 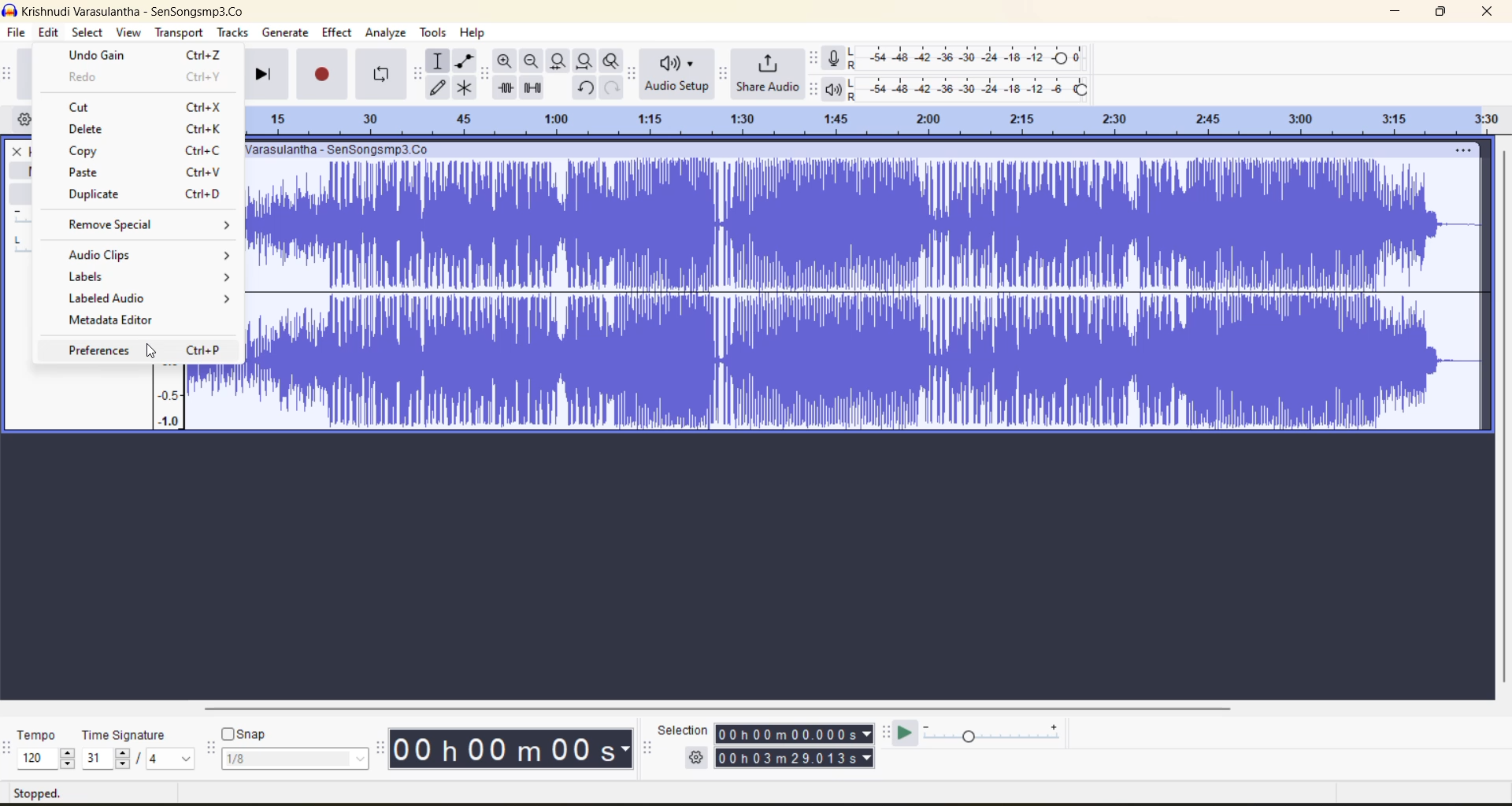 I want to click on share audio toolbar, so click(x=724, y=72).